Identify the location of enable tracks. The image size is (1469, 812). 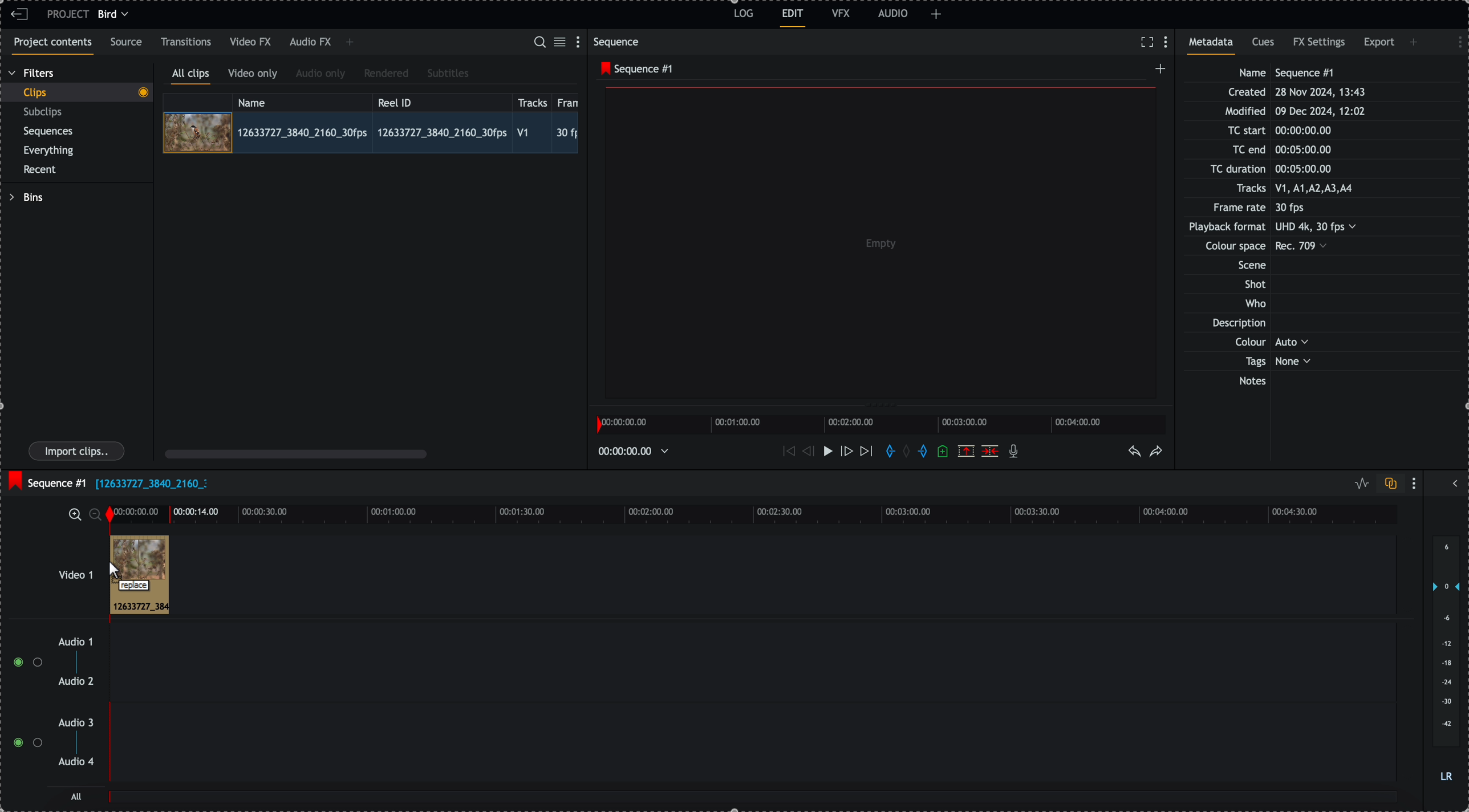
(23, 703).